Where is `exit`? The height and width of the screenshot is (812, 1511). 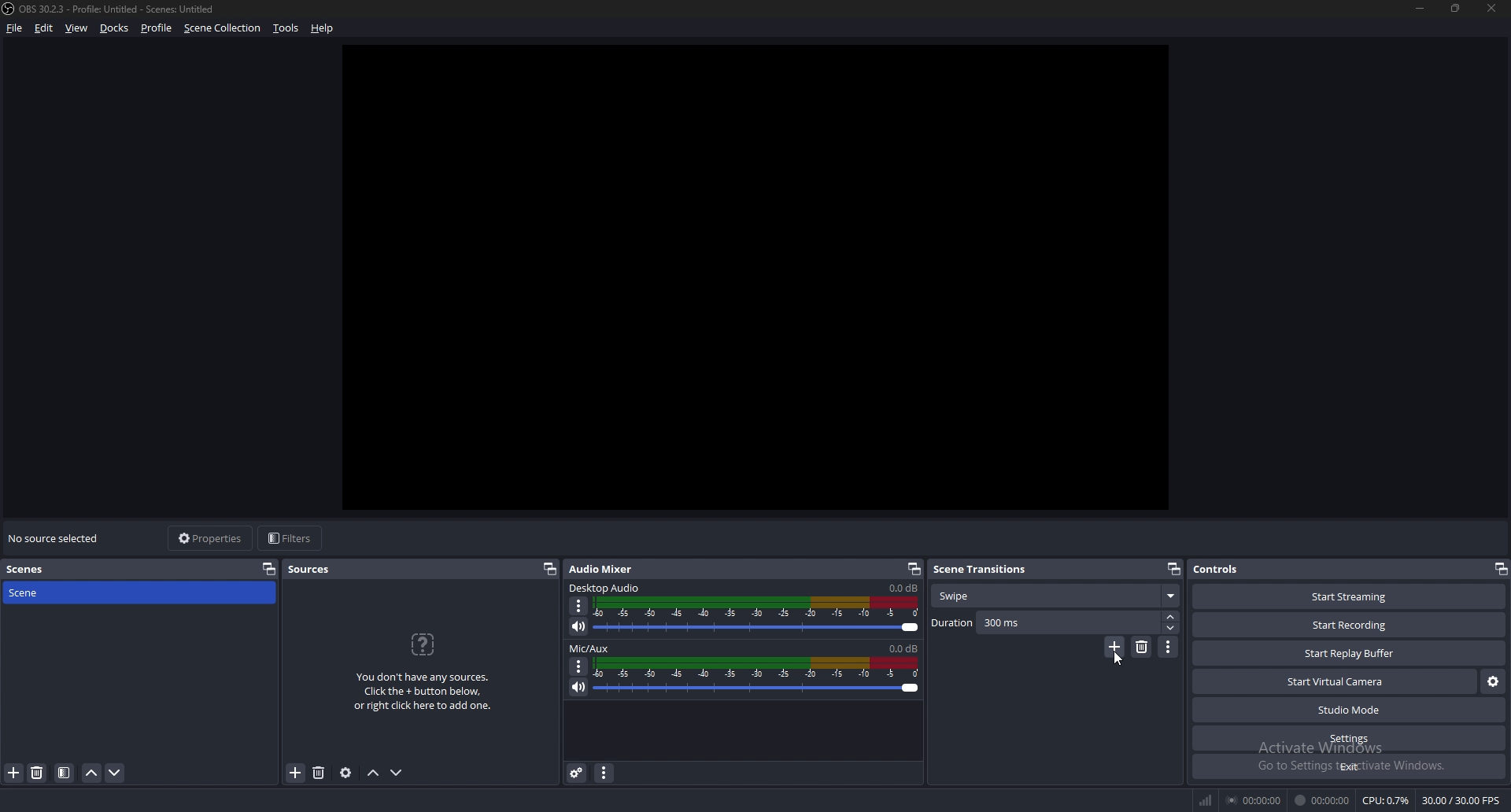
exit is located at coordinates (1348, 766).